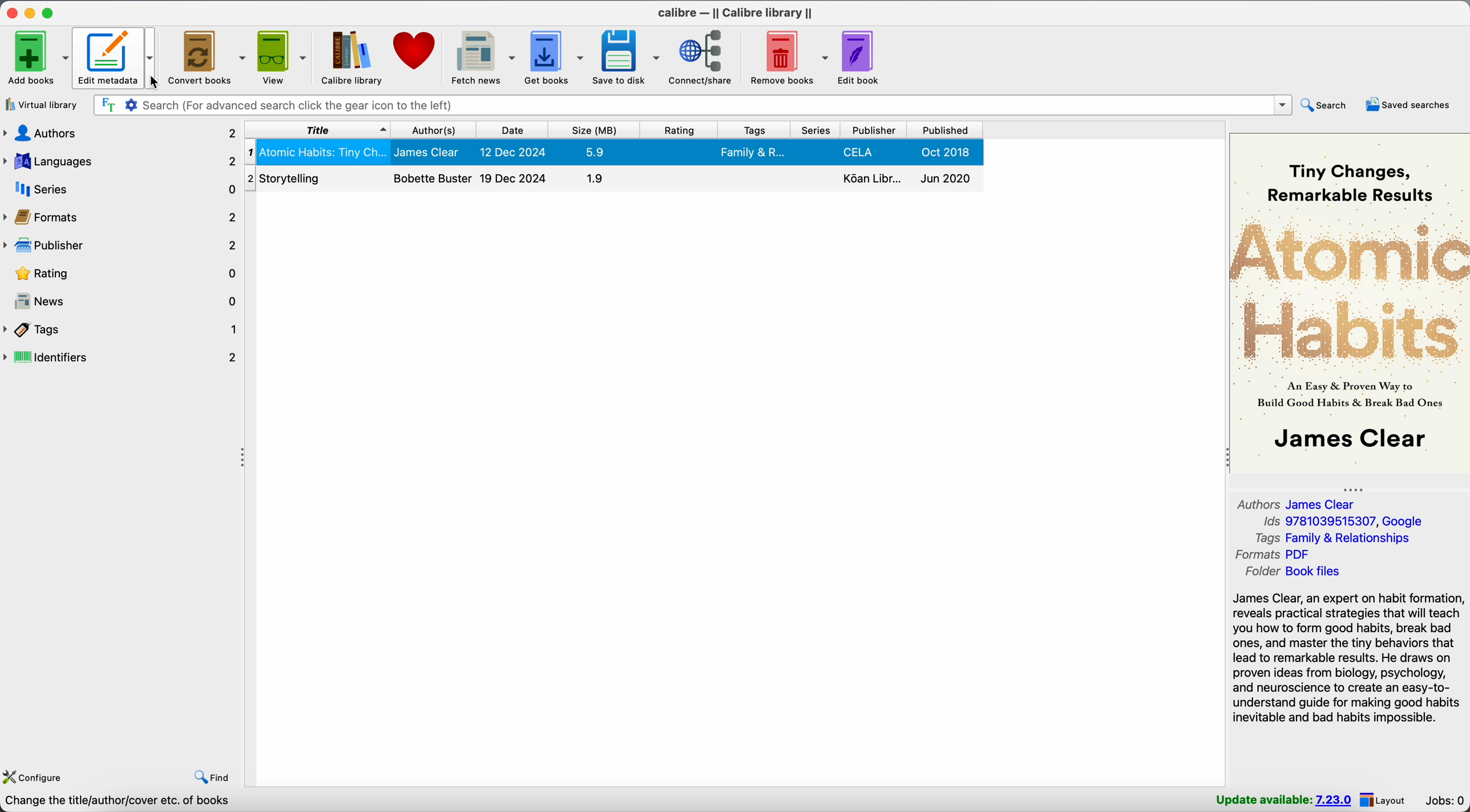  I want to click on Calibre - || Calibre library ||, so click(736, 14).